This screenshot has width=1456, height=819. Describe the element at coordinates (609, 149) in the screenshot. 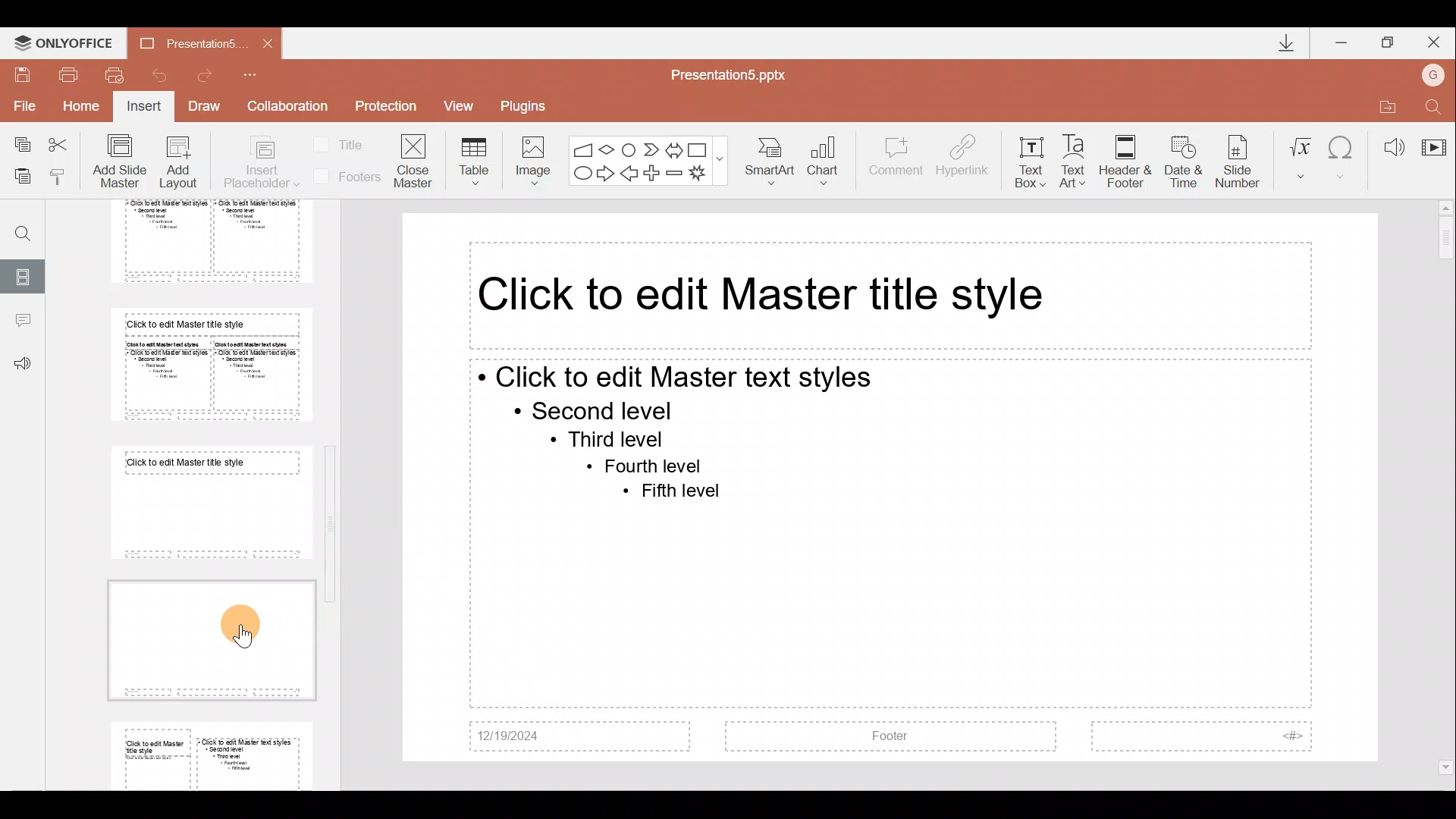

I see `Flow chart-decision` at that location.